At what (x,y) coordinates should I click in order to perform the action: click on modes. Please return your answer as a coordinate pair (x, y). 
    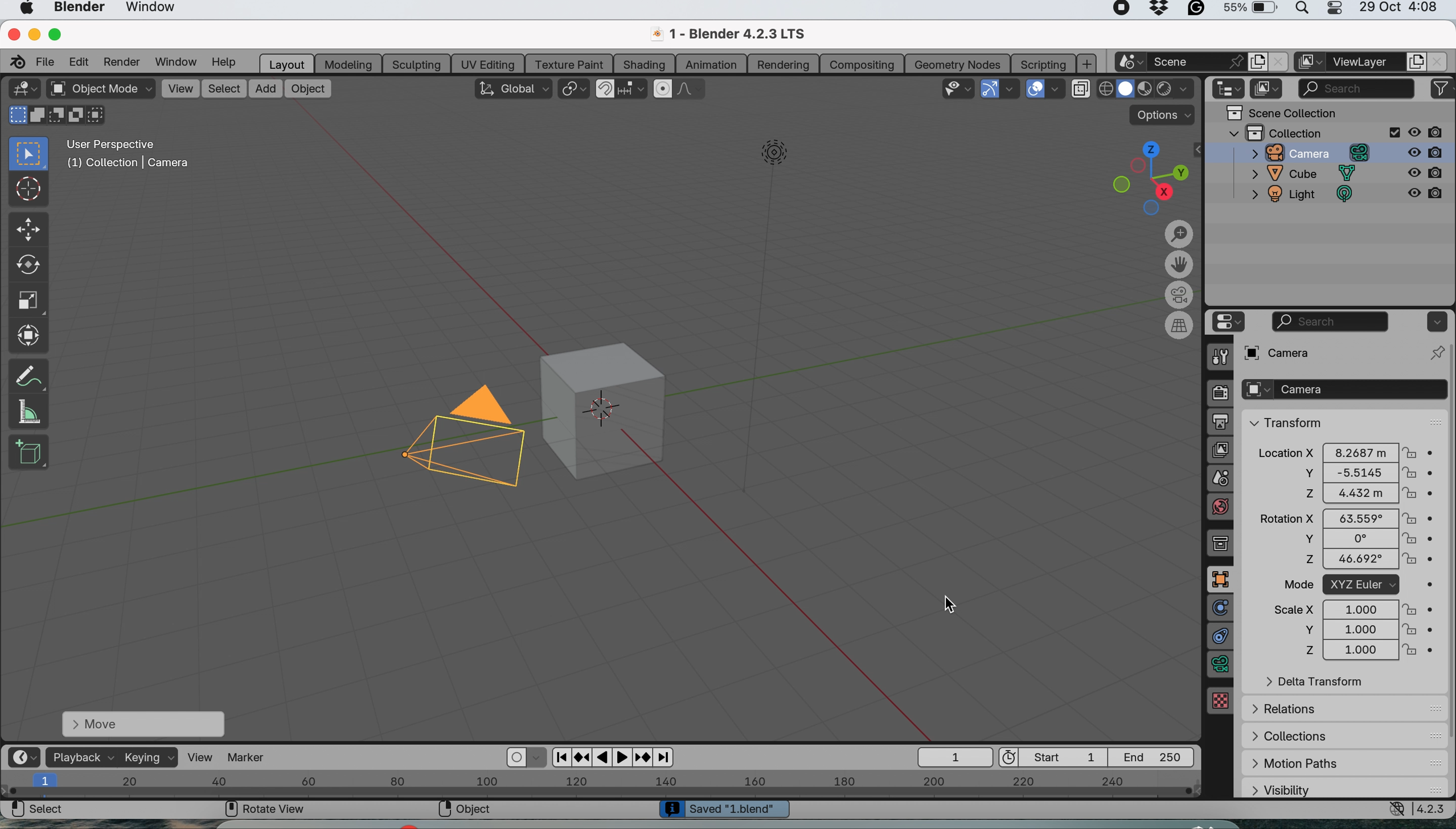
    Looking at the image, I should click on (54, 116).